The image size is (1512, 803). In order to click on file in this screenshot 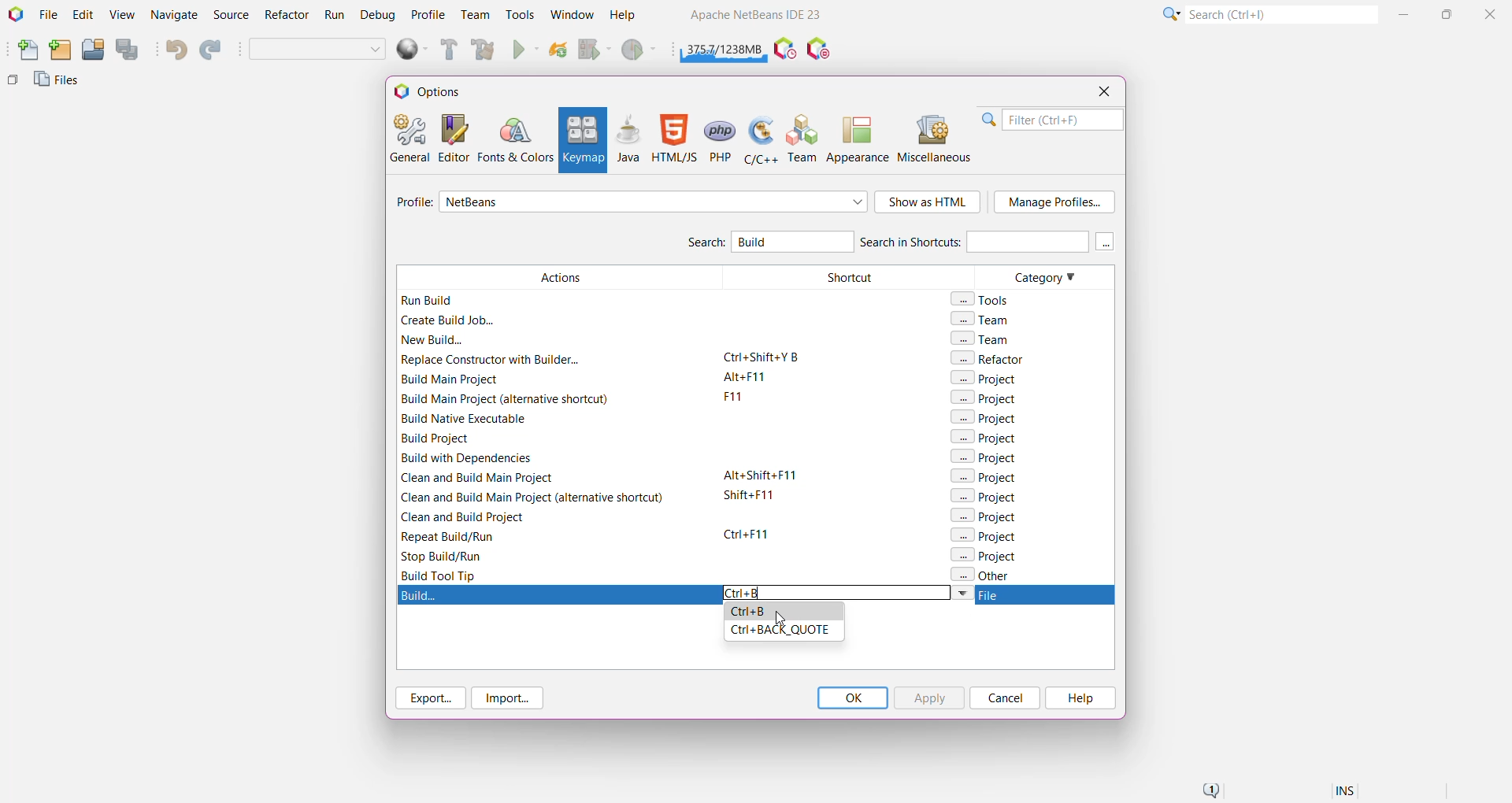, I will do `click(1044, 594)`.